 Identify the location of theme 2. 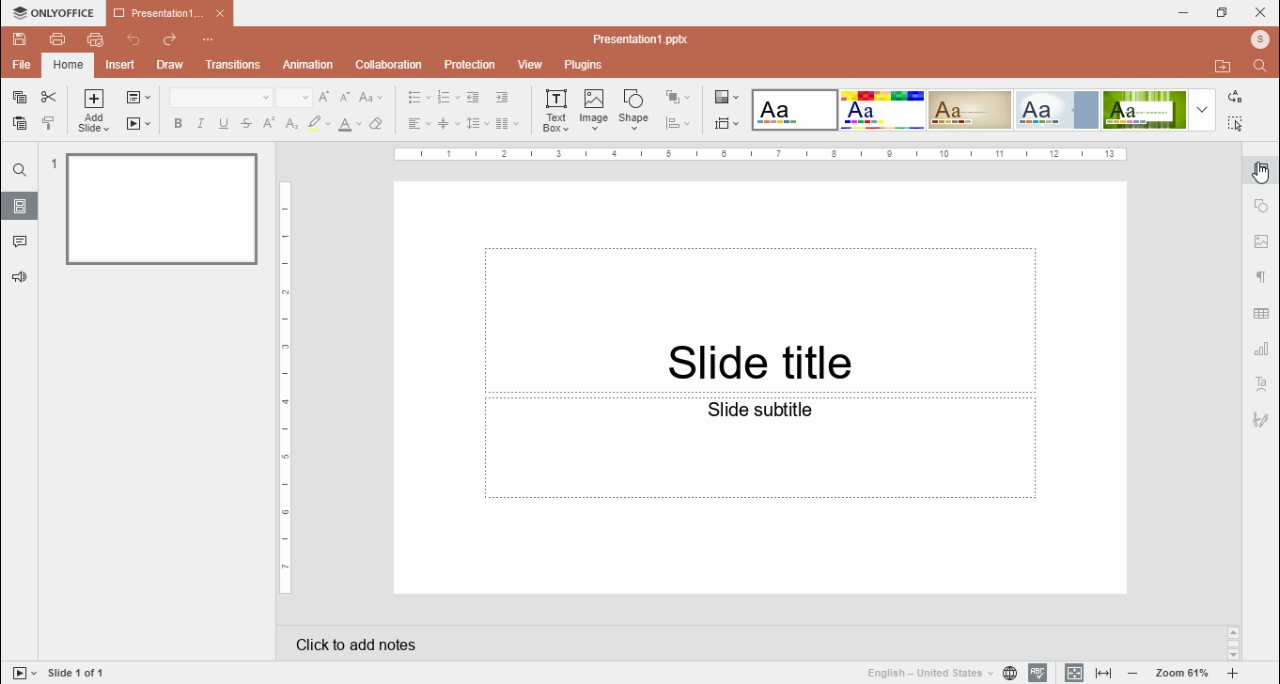
(885, 110).